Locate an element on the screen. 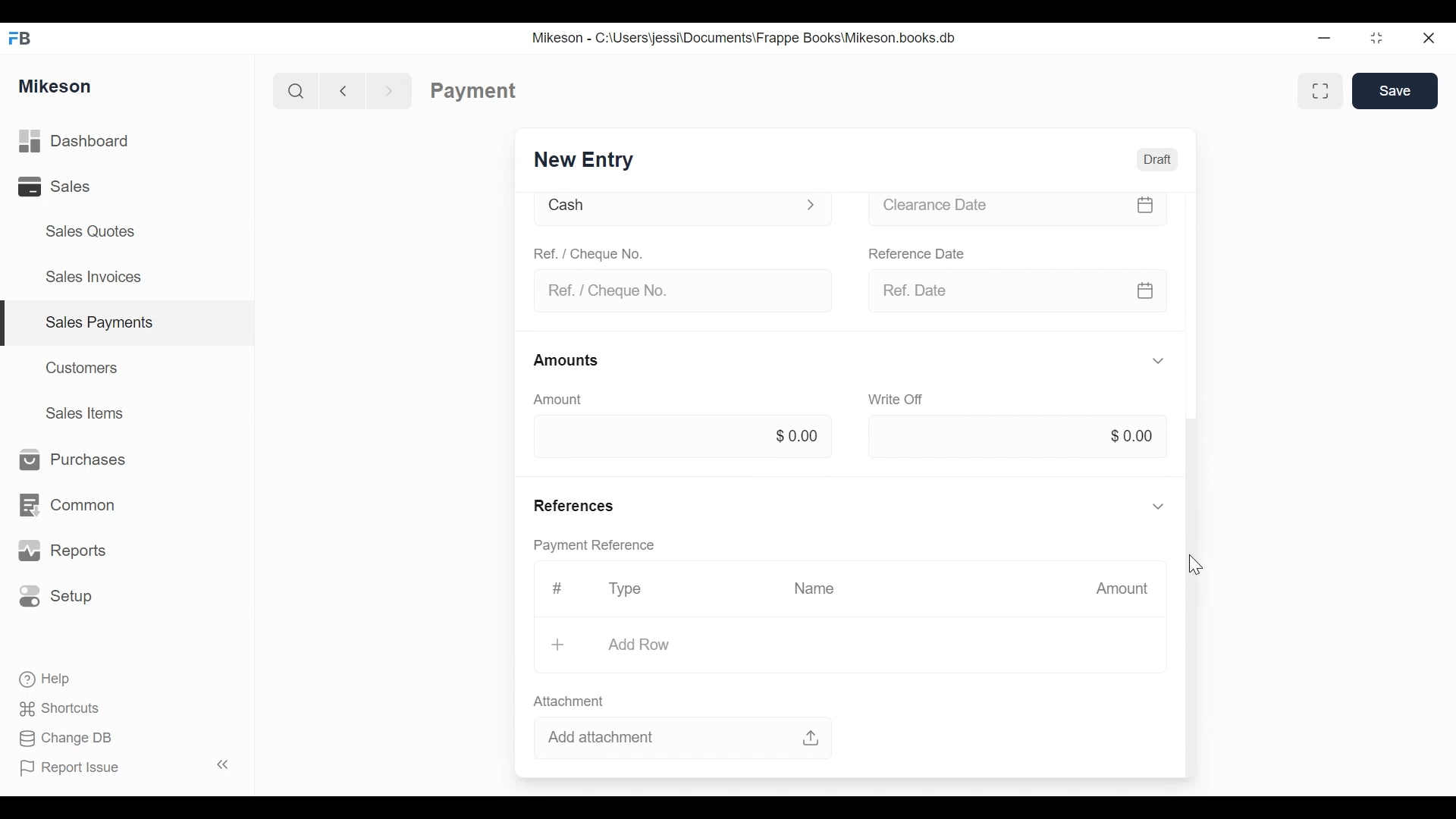 This screenshot has width=1456, height=819. payment reference is located at coordinates (595, 544).